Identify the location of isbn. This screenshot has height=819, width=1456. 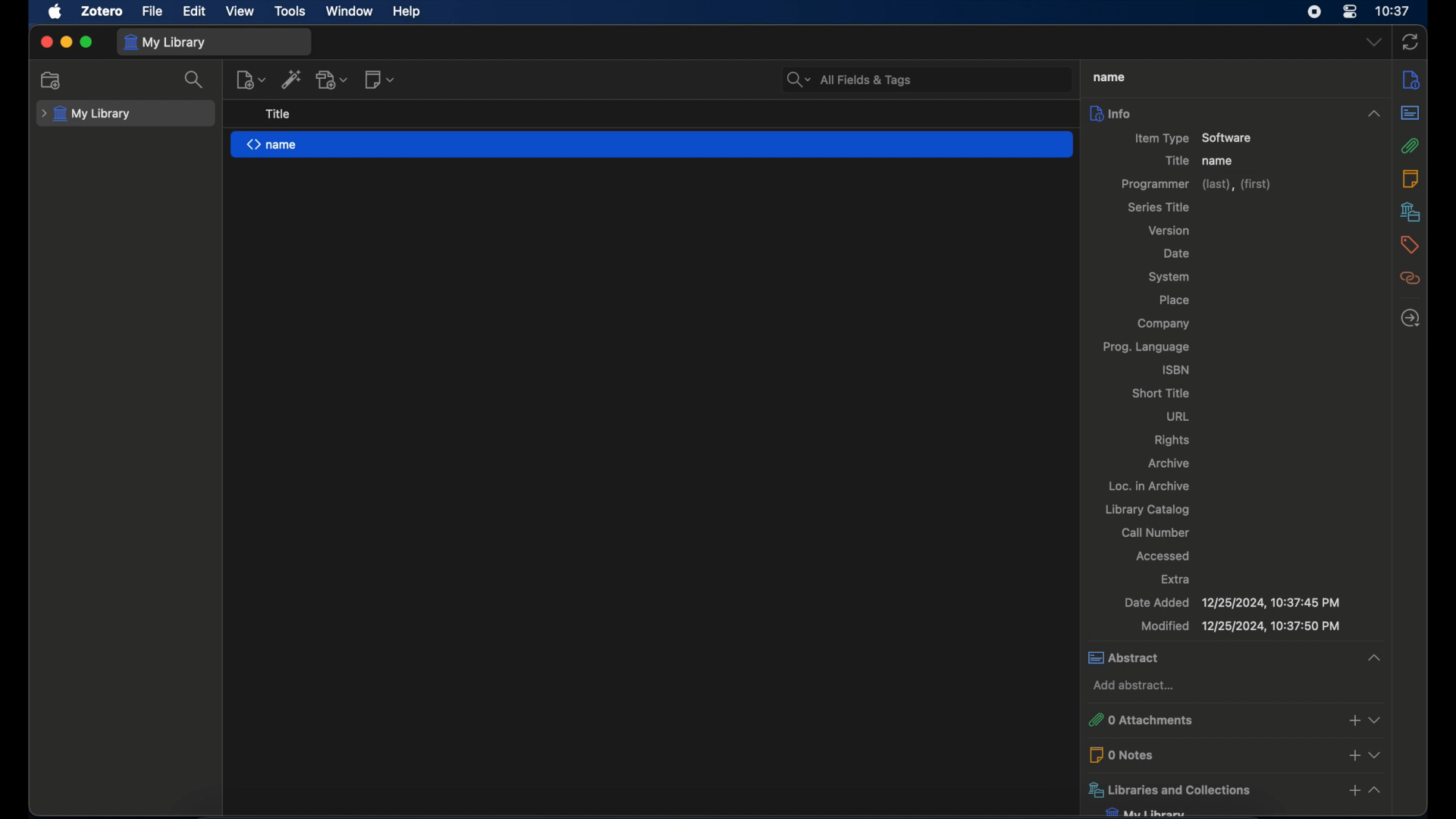
(1178, 368).